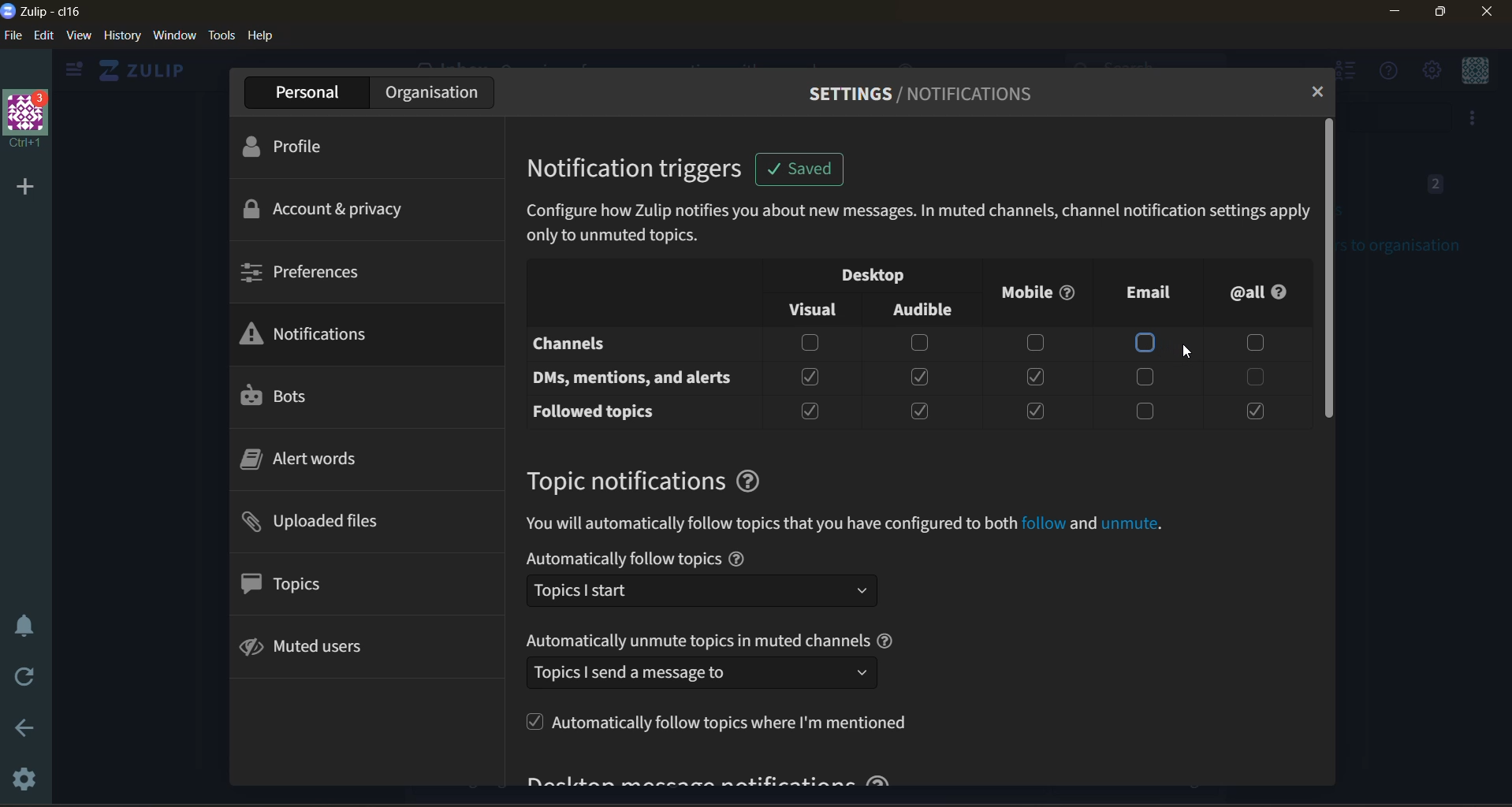  I want to click on file, so click(13, 35).